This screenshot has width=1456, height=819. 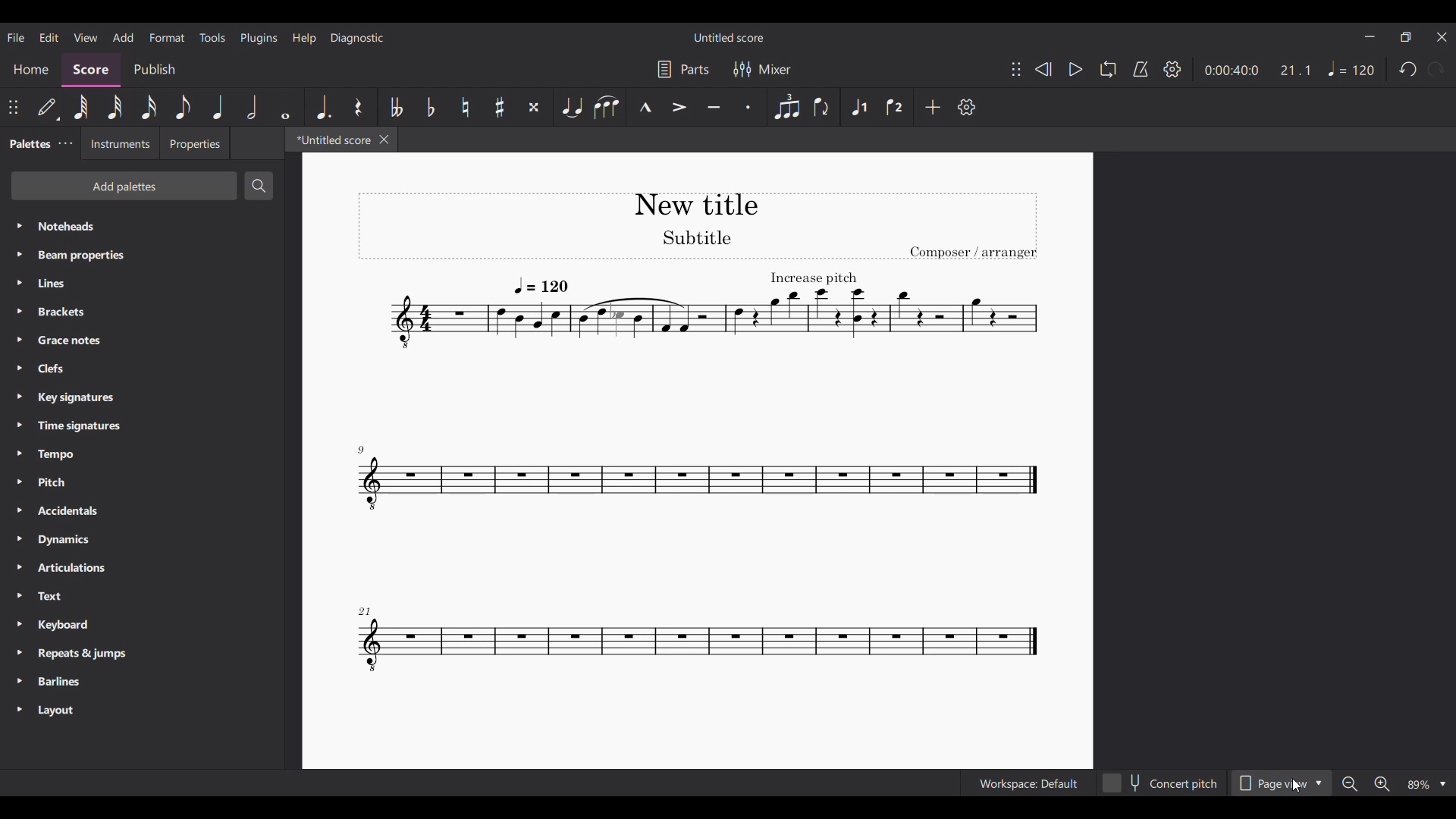 I want to click on 64th note, so click(x=80, y=107).